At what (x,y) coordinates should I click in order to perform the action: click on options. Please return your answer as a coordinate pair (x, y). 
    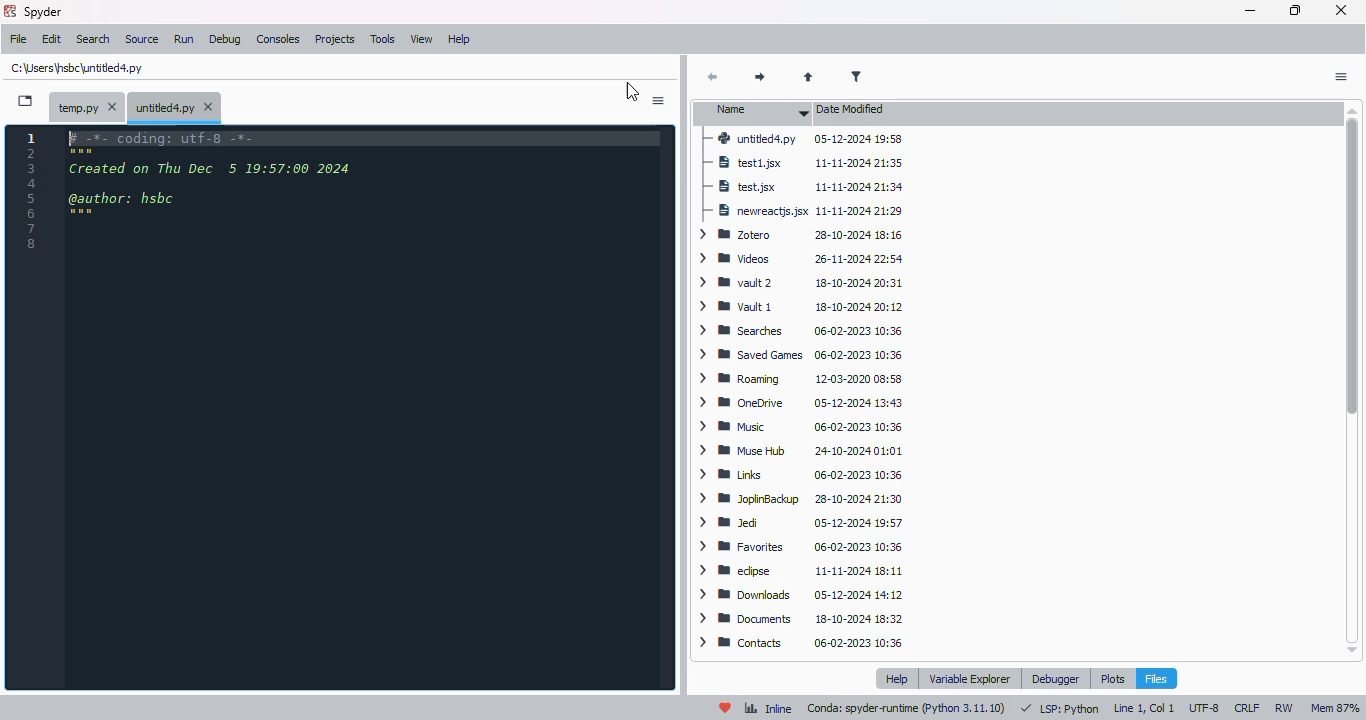
    Looking at the image, I should click on (1341, 77).